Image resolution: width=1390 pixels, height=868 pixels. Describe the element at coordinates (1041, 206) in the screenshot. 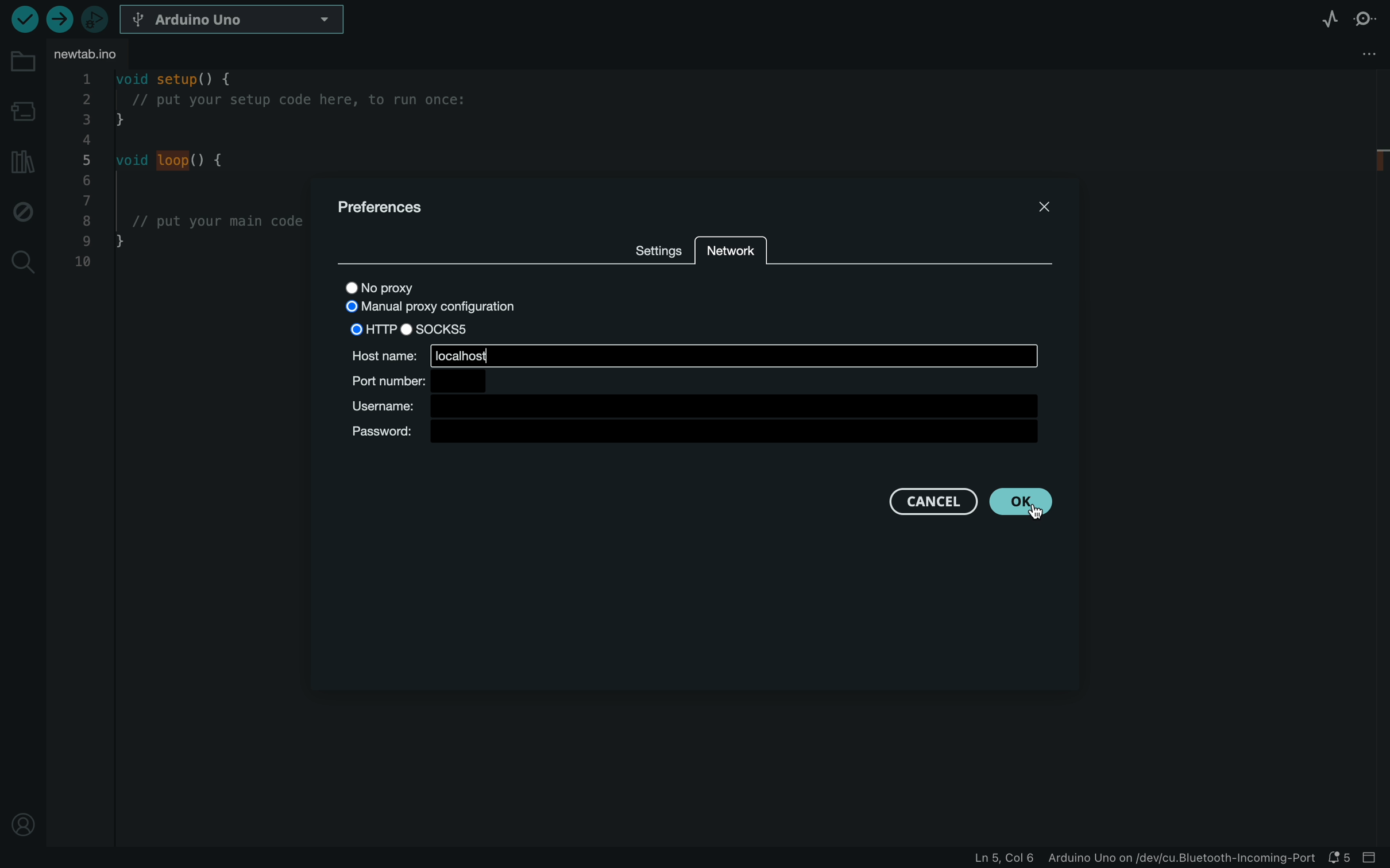

I see `close` at that location.